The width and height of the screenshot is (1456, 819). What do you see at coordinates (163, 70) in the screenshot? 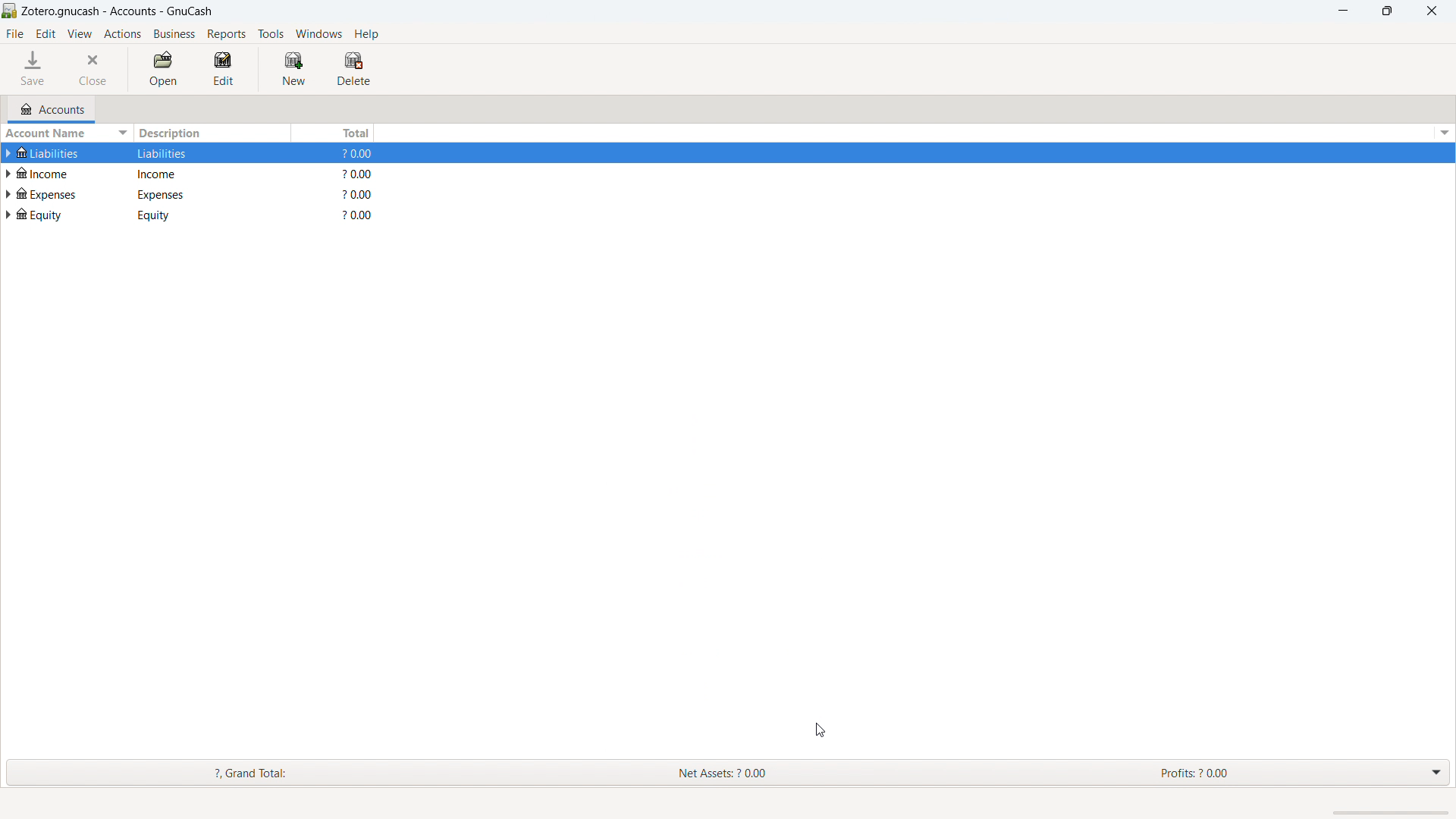
I see `open` at bounding box center [163, 70].